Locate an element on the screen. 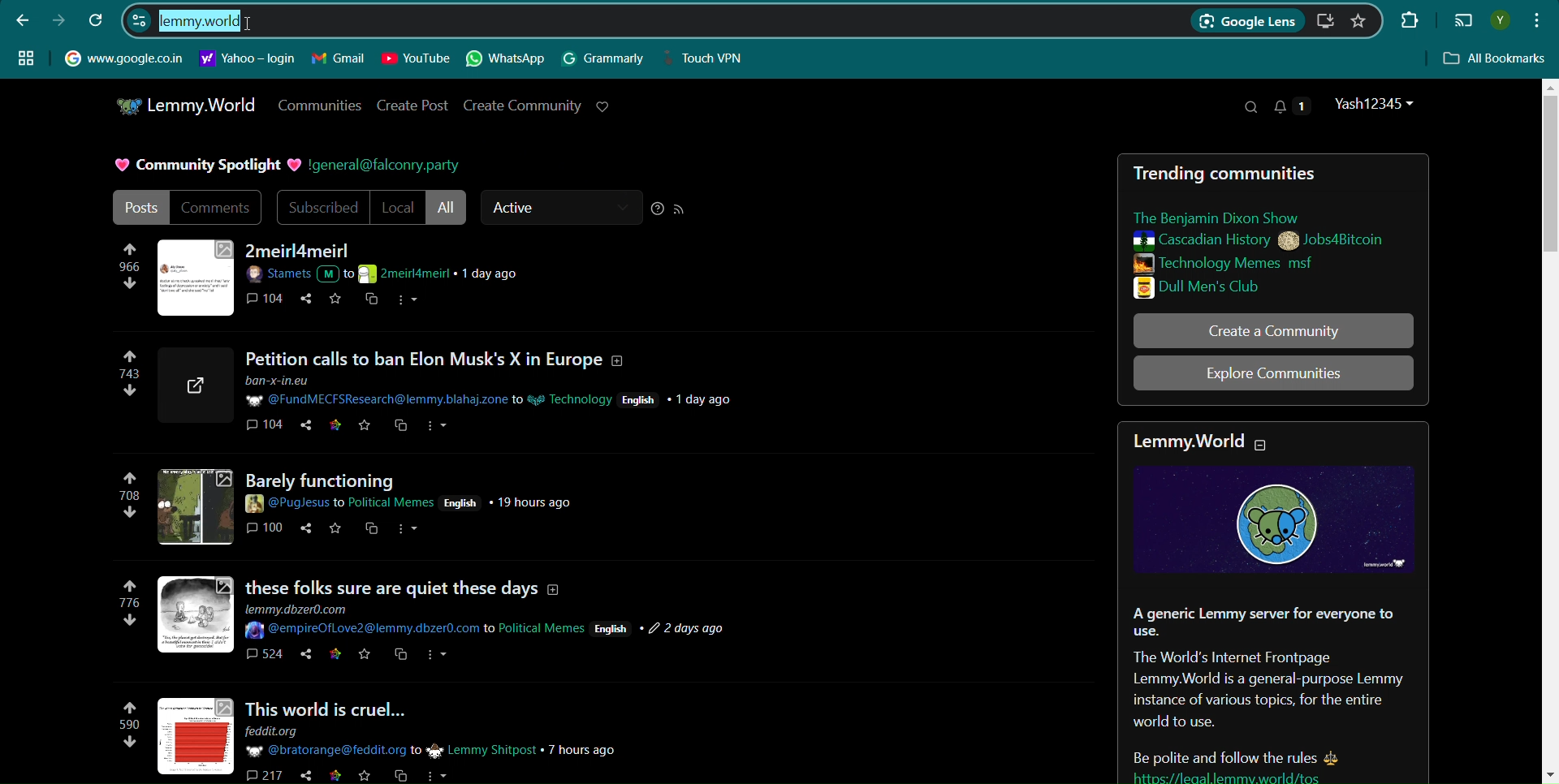  RSS is located at coordinates (680, 209).